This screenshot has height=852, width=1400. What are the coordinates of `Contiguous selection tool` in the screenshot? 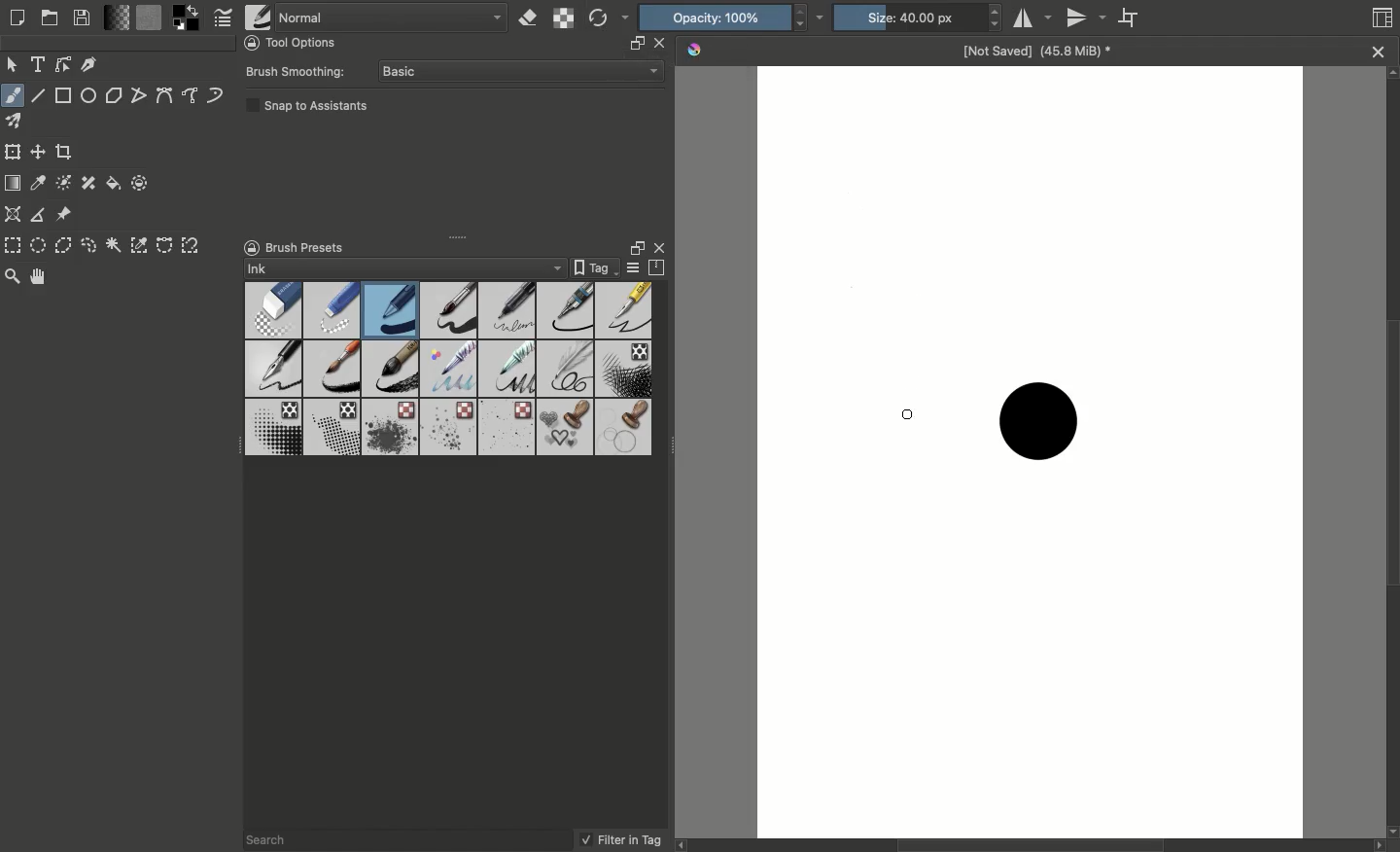 It's located at (115, 247).